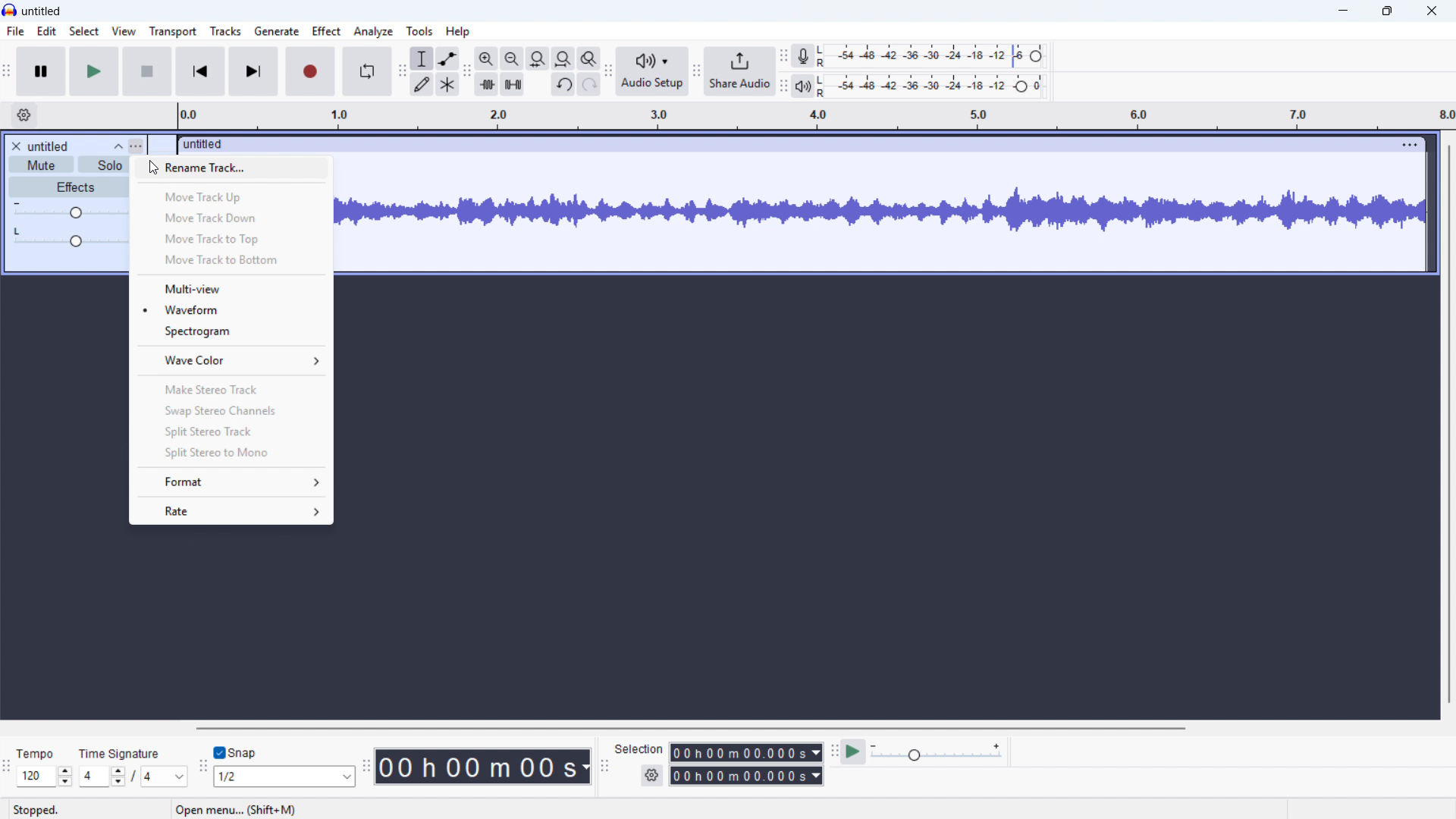  I want to click on Make stereo track , so click(231, 390).